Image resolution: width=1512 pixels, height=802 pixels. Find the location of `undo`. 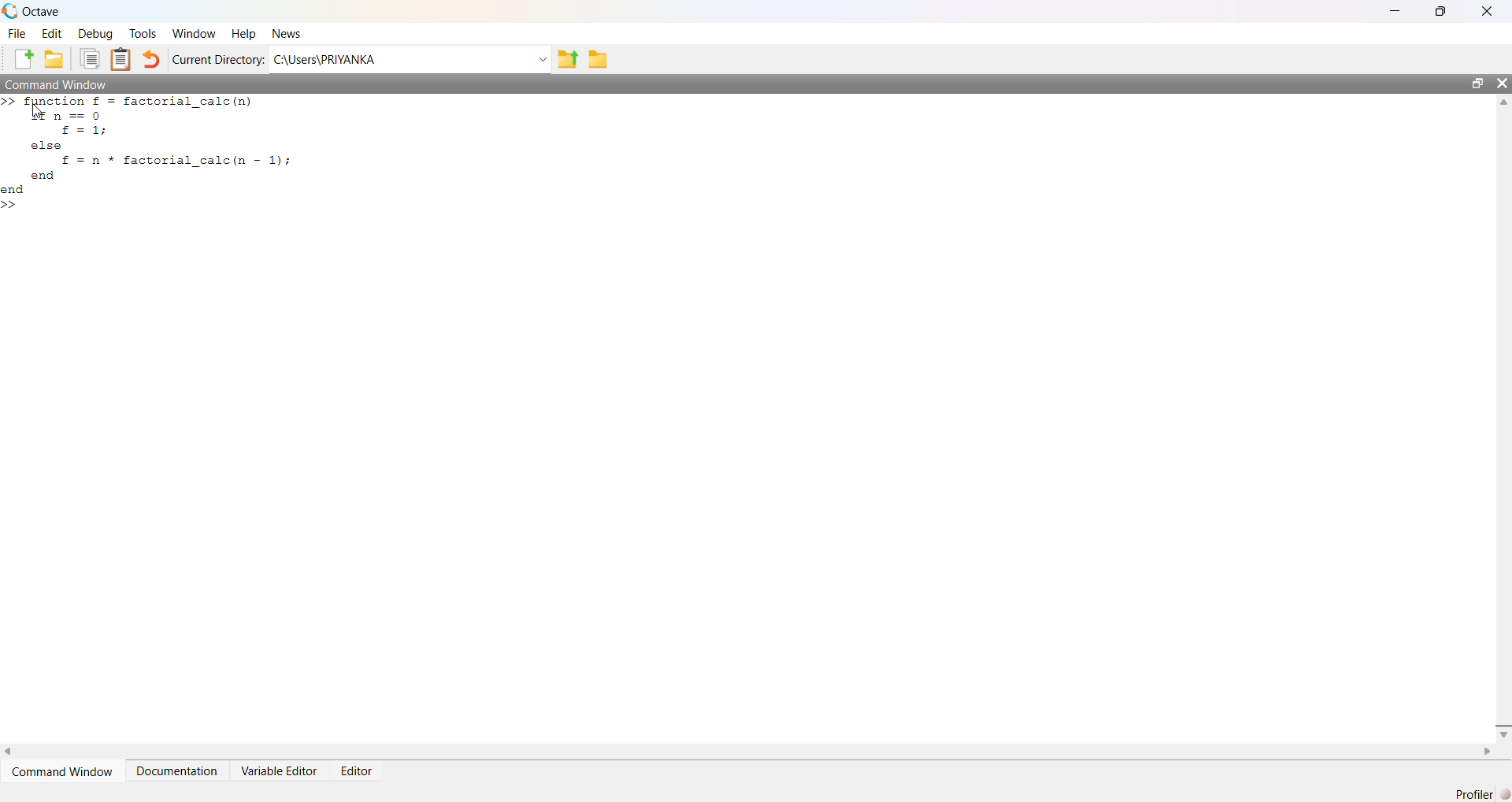

undo is located at coordinates (151, 60).